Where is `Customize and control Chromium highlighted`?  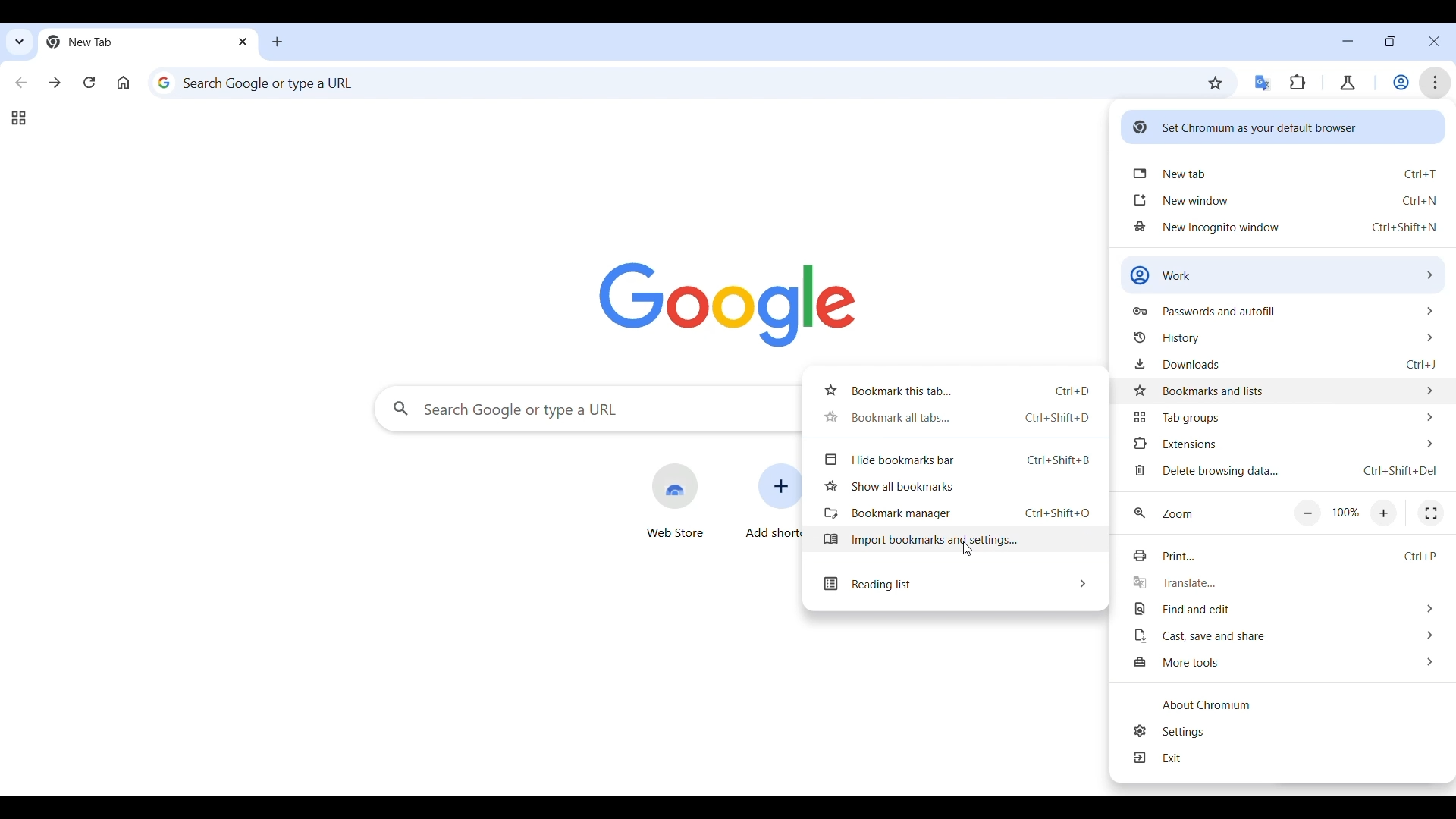 Customize and control Chromium highlighted is located at coordinates (1436, 83).